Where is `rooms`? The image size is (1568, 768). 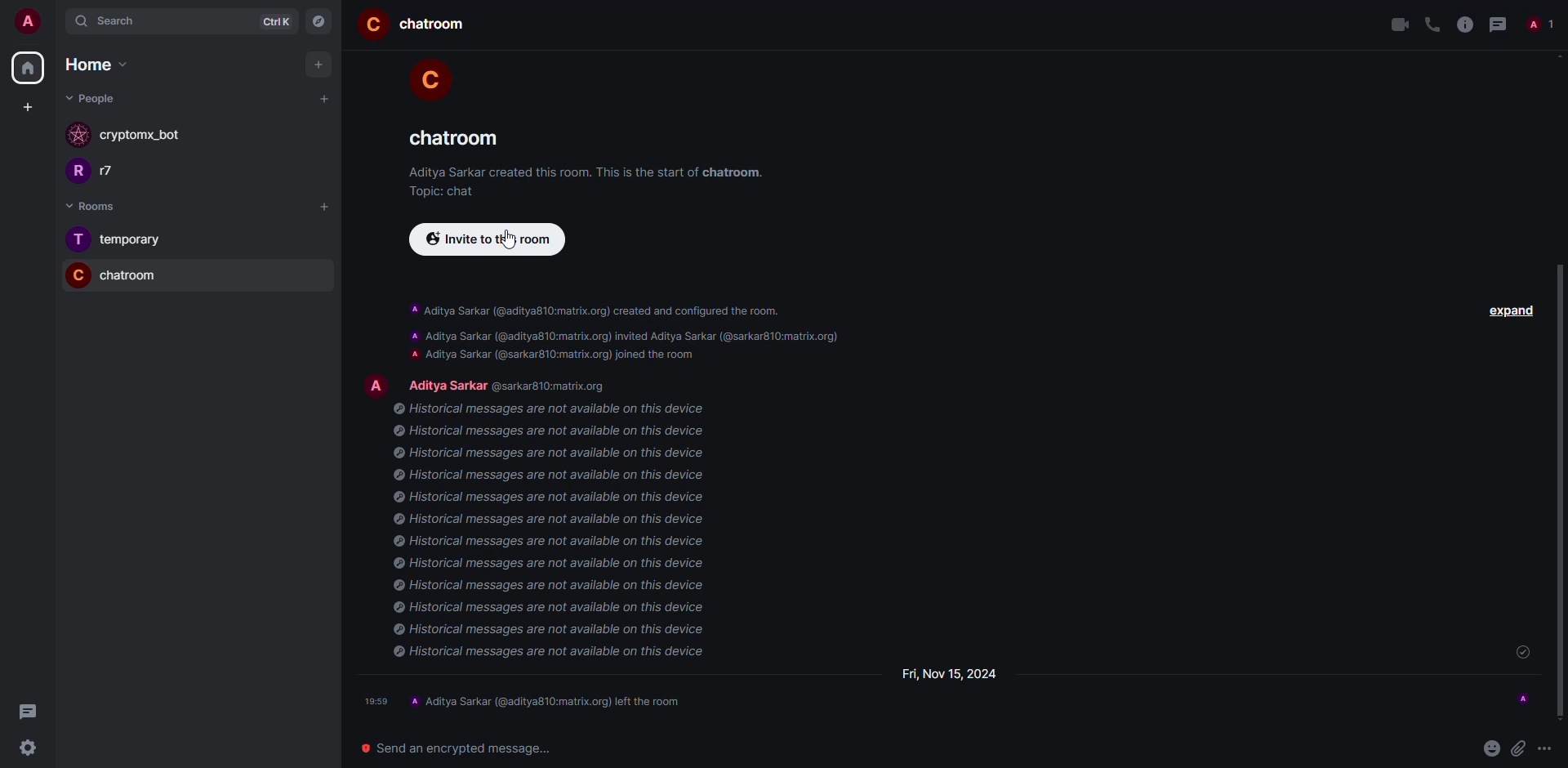
rooms is located at coordinates (86, 206).